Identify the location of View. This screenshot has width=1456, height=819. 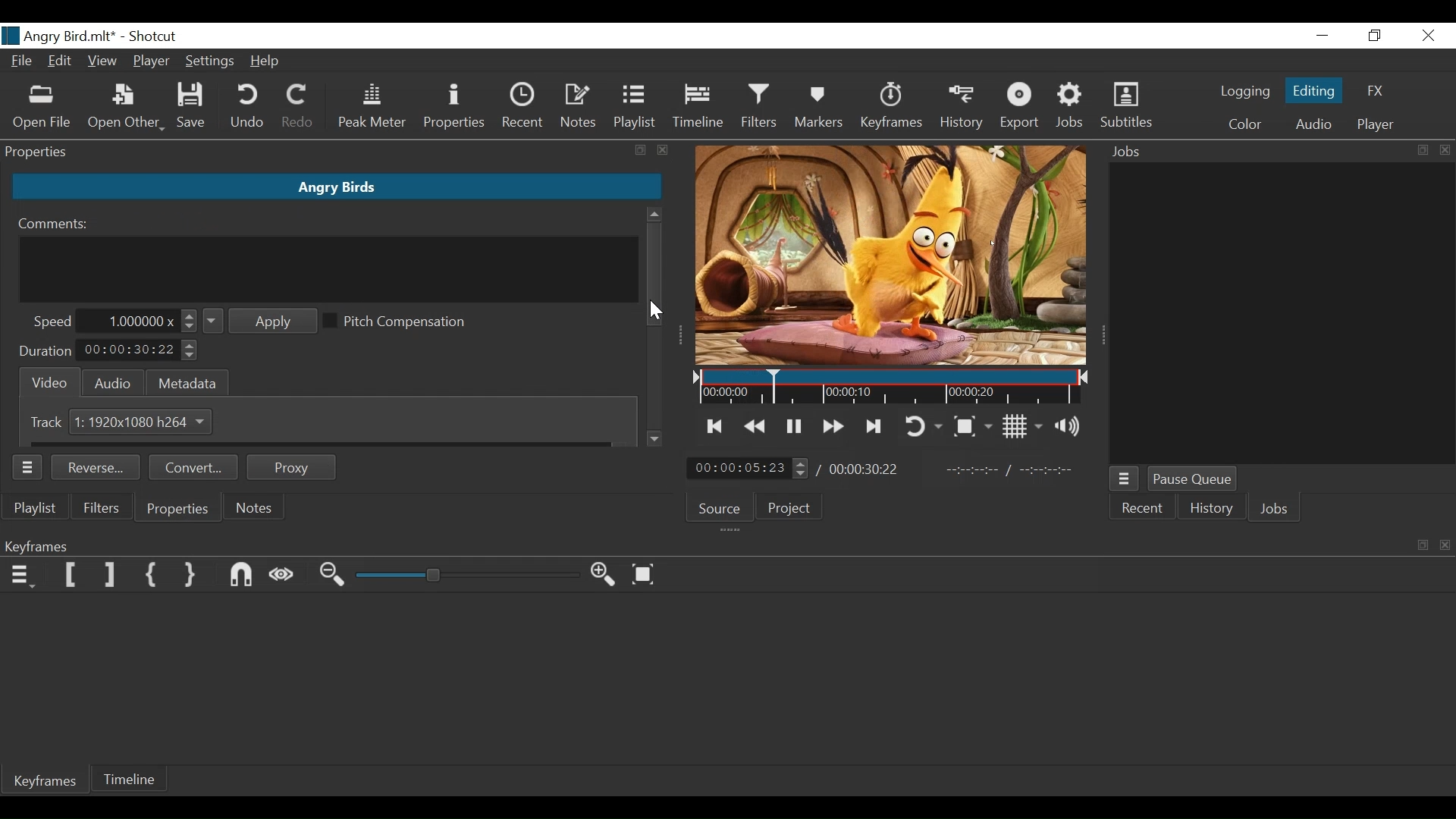
(101, 60).